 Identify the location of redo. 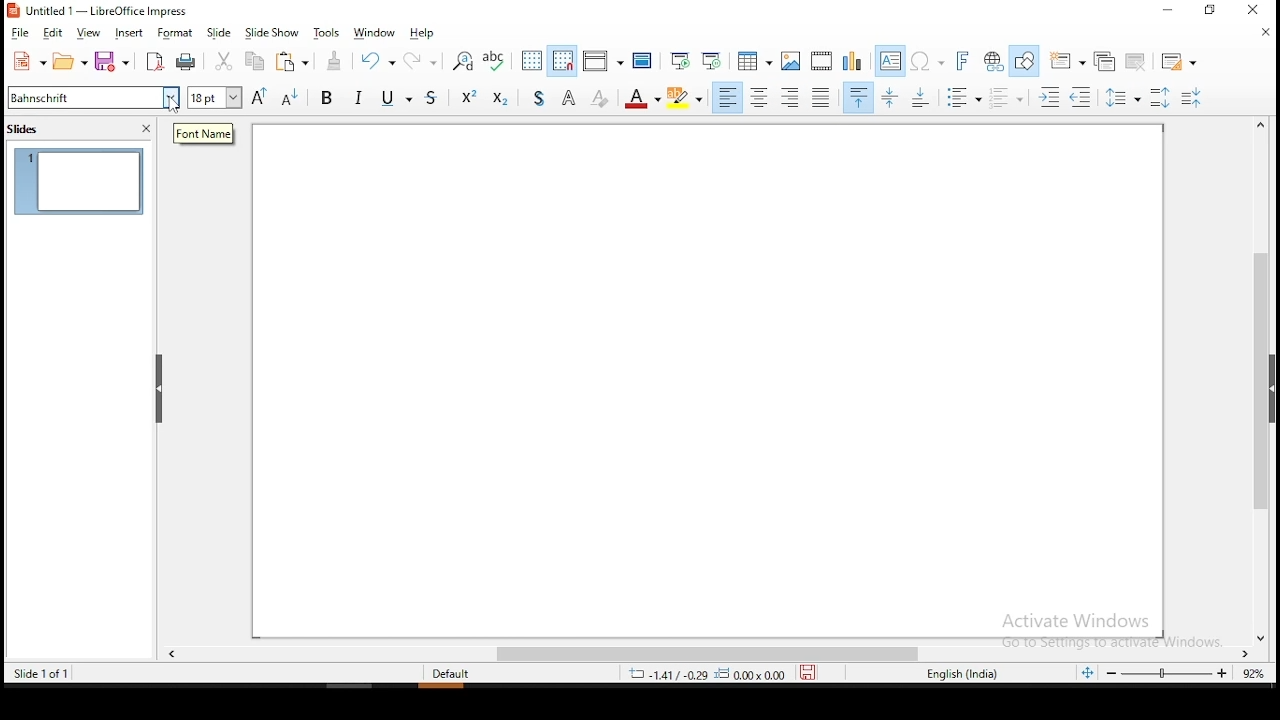
(425, 59).